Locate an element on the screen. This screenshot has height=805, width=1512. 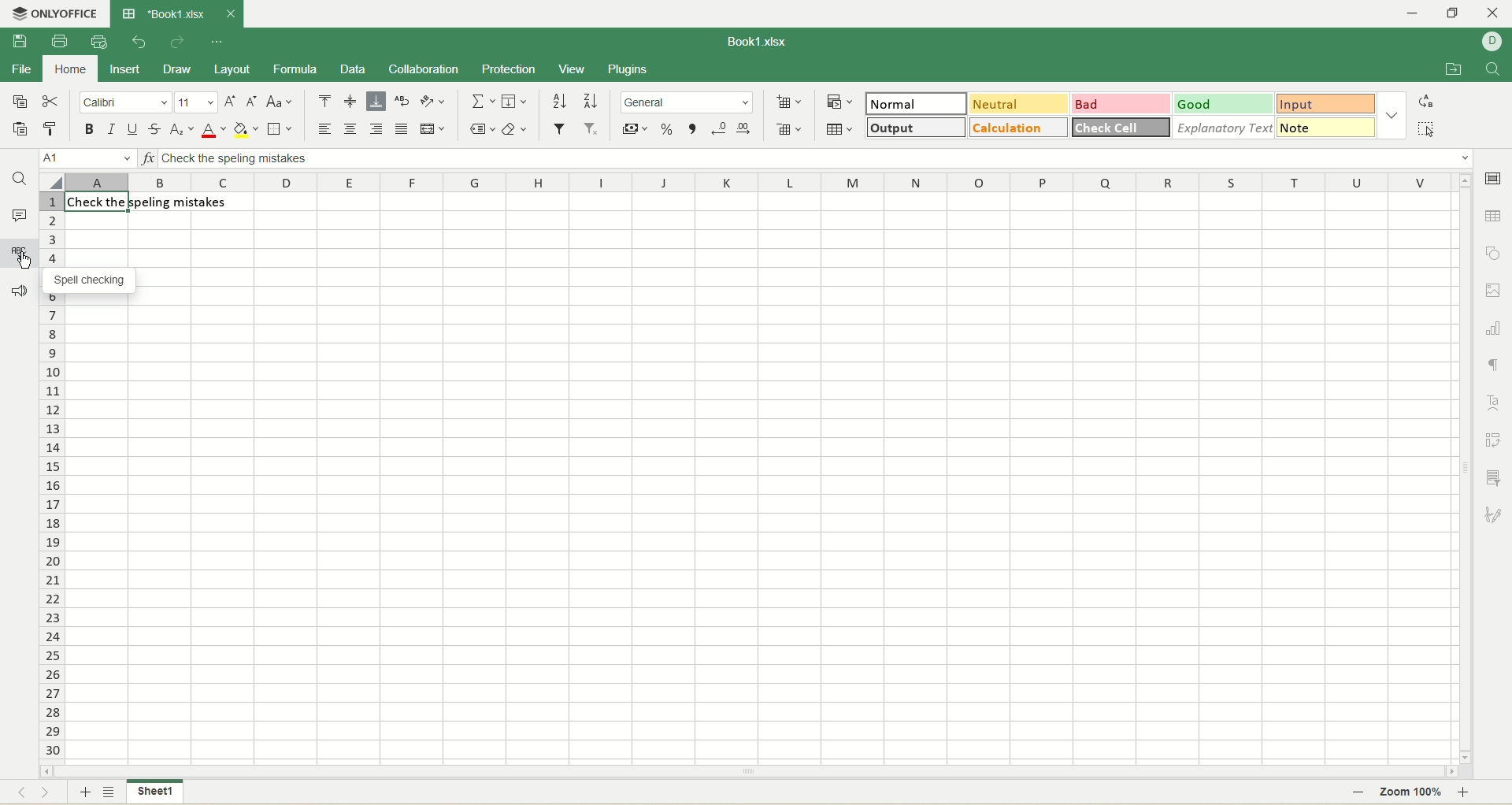
onlyoffice is located at coordinates (54, 16).